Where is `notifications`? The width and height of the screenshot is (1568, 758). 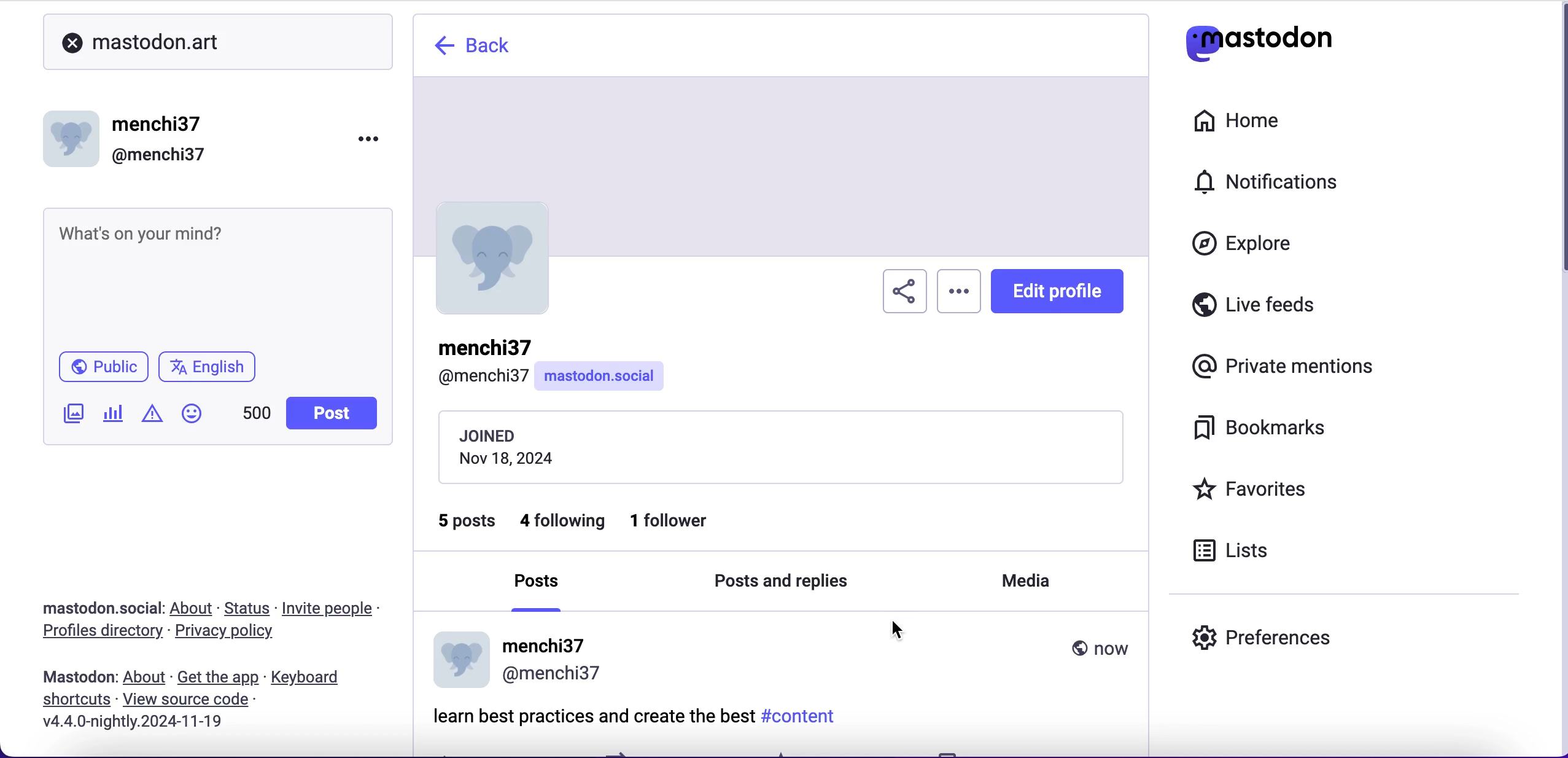 notifications is located at coordinates (1268, 183).